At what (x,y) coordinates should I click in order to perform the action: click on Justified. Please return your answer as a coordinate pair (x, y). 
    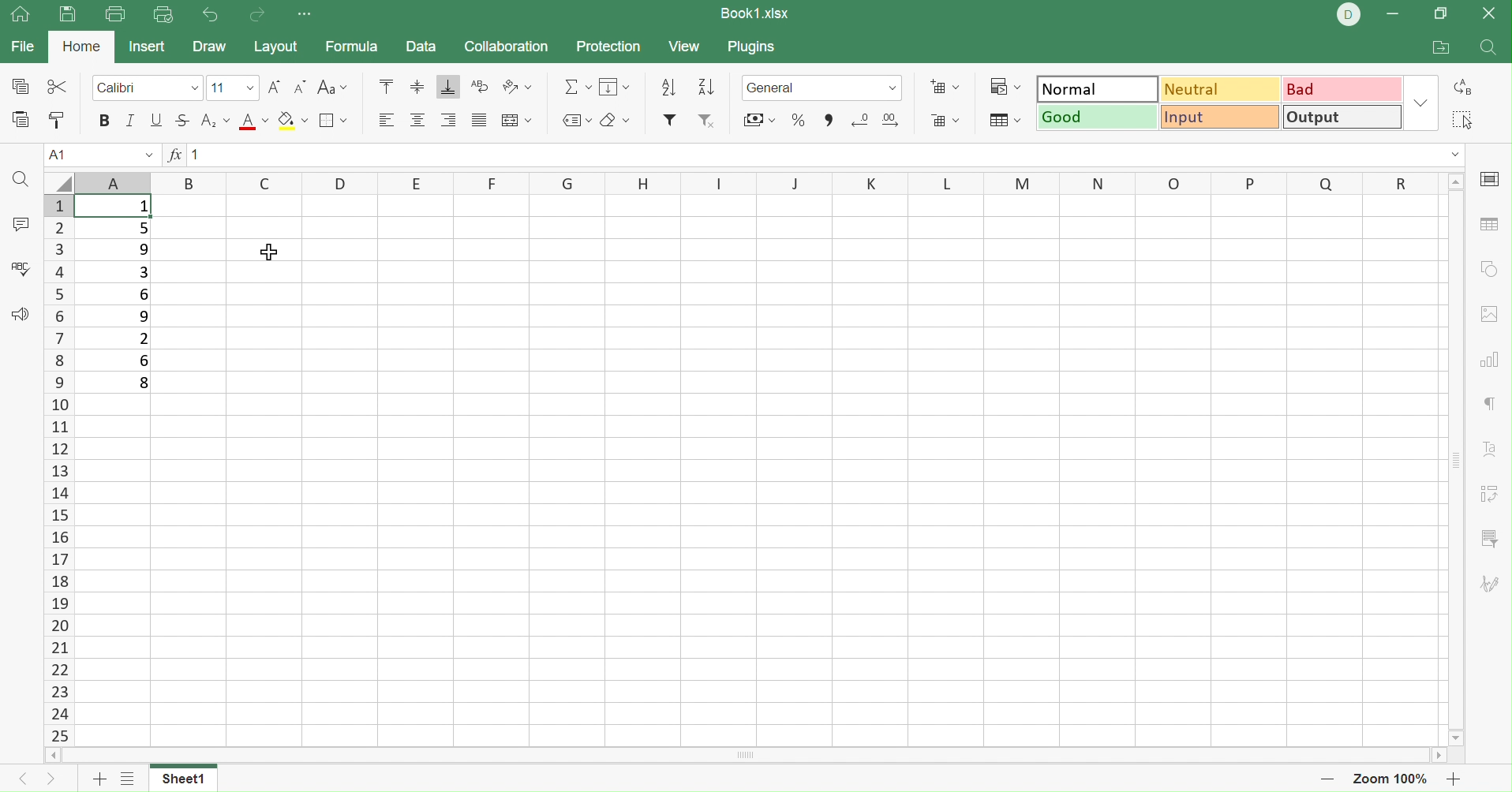
    Looking at the image, I should click on (480, 119).